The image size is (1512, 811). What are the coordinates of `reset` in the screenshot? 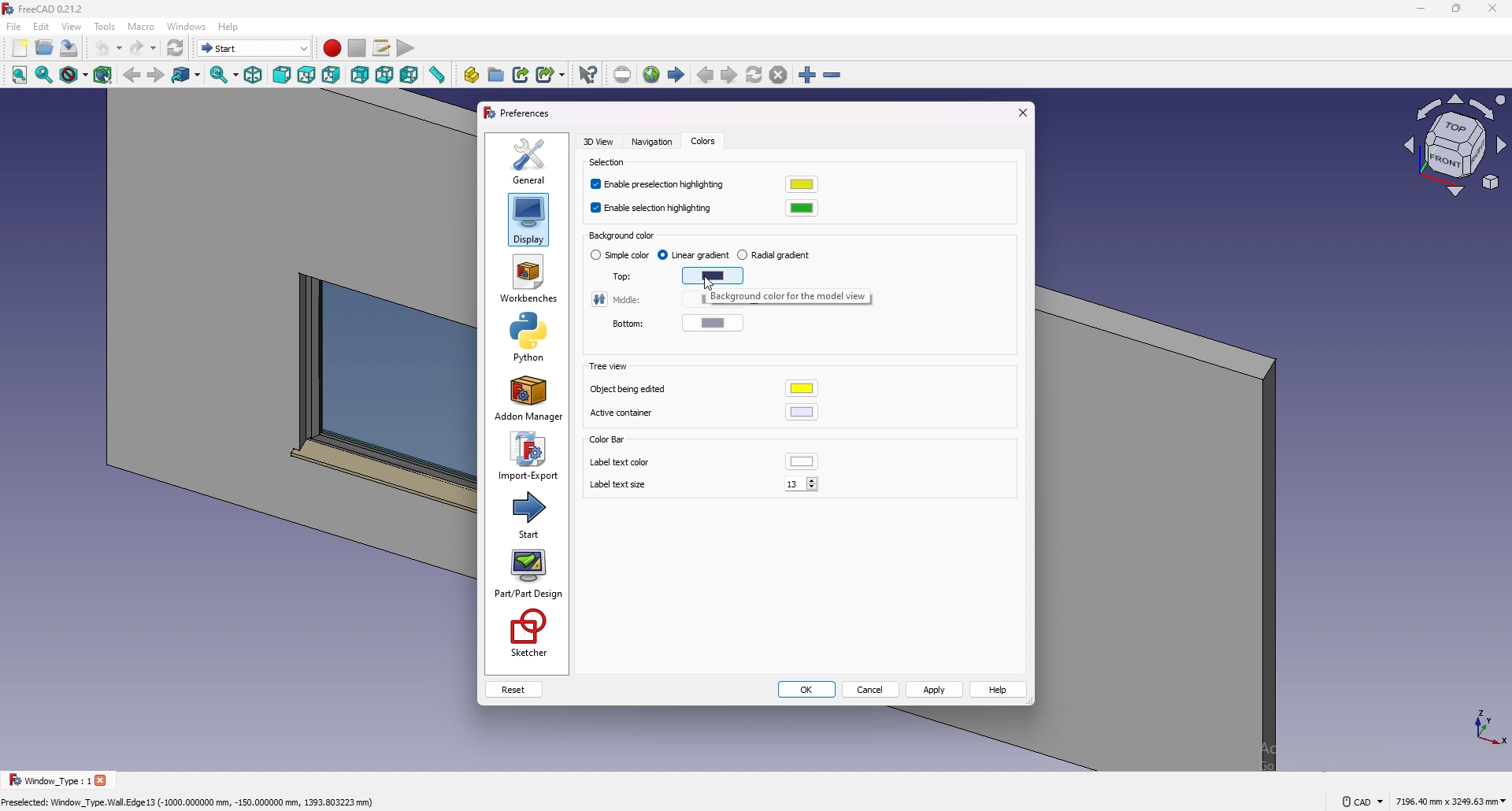 It's located at (513, 690).